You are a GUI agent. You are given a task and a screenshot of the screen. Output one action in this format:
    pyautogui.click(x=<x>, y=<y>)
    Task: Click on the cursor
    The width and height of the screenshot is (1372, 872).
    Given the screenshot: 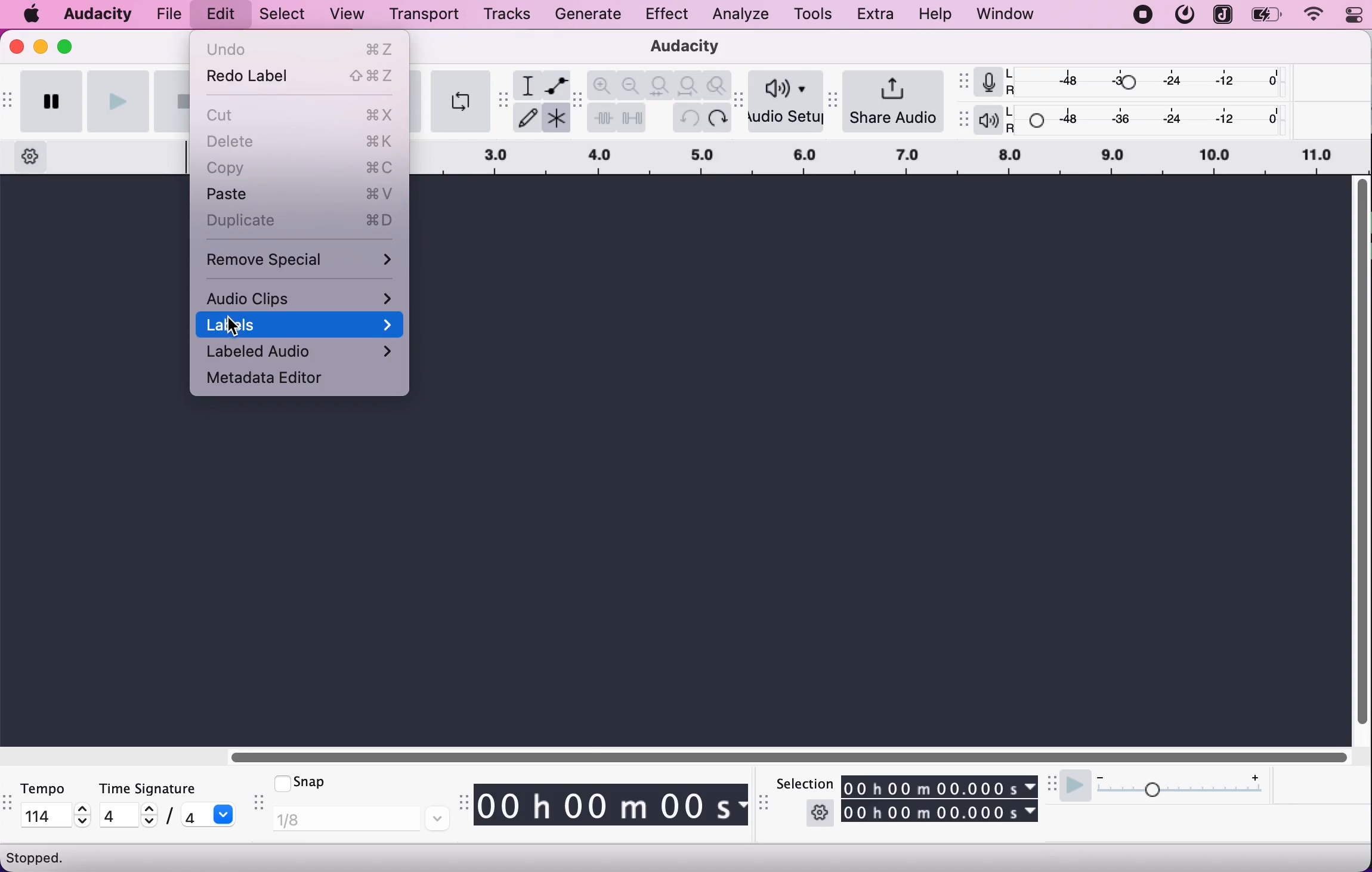 What is the action you would take?
    pyautogui.click(x=231, y=325)
    